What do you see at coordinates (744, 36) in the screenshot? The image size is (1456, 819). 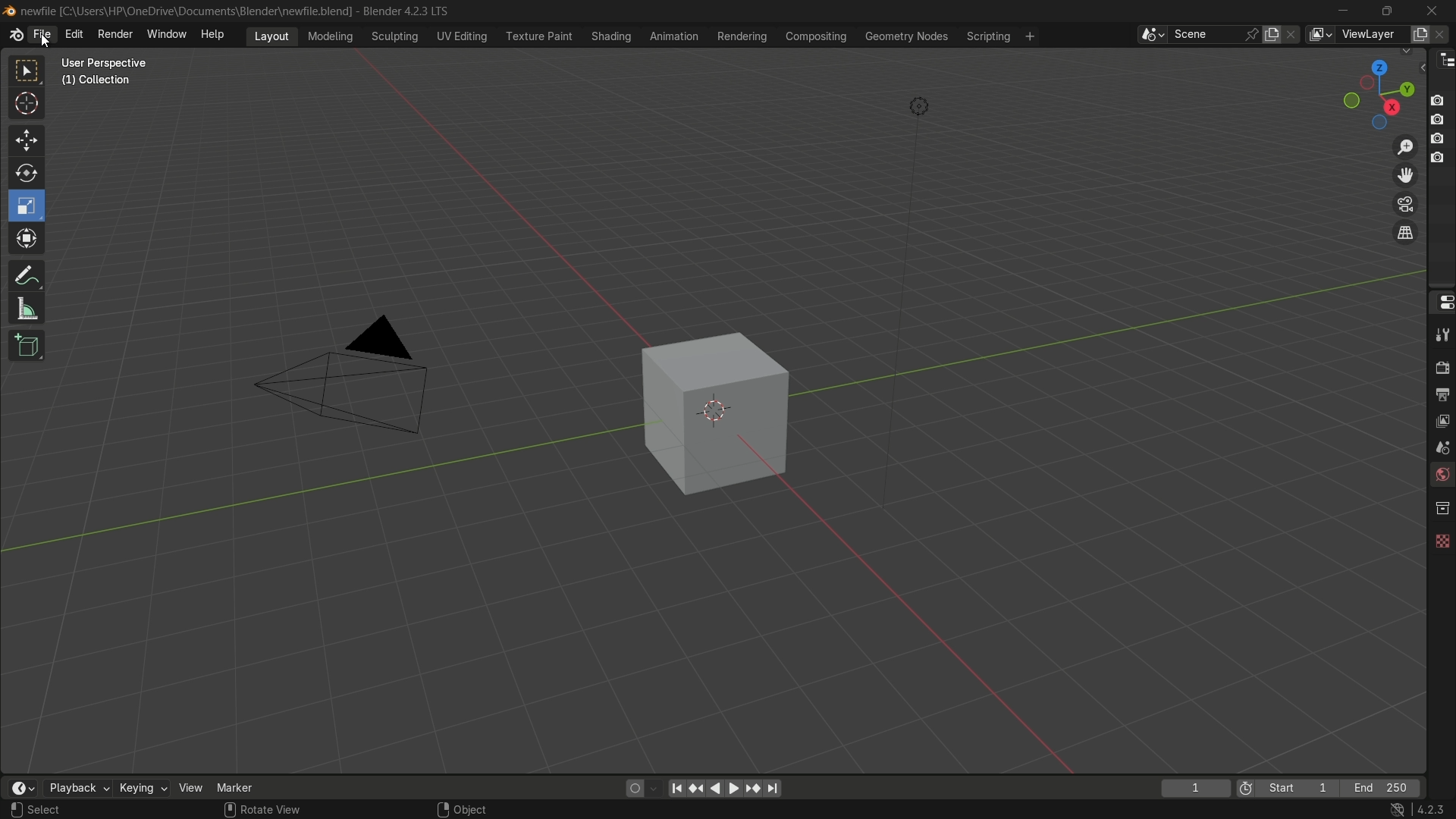 I see `rendering menu` at bounding box center [744, 36].